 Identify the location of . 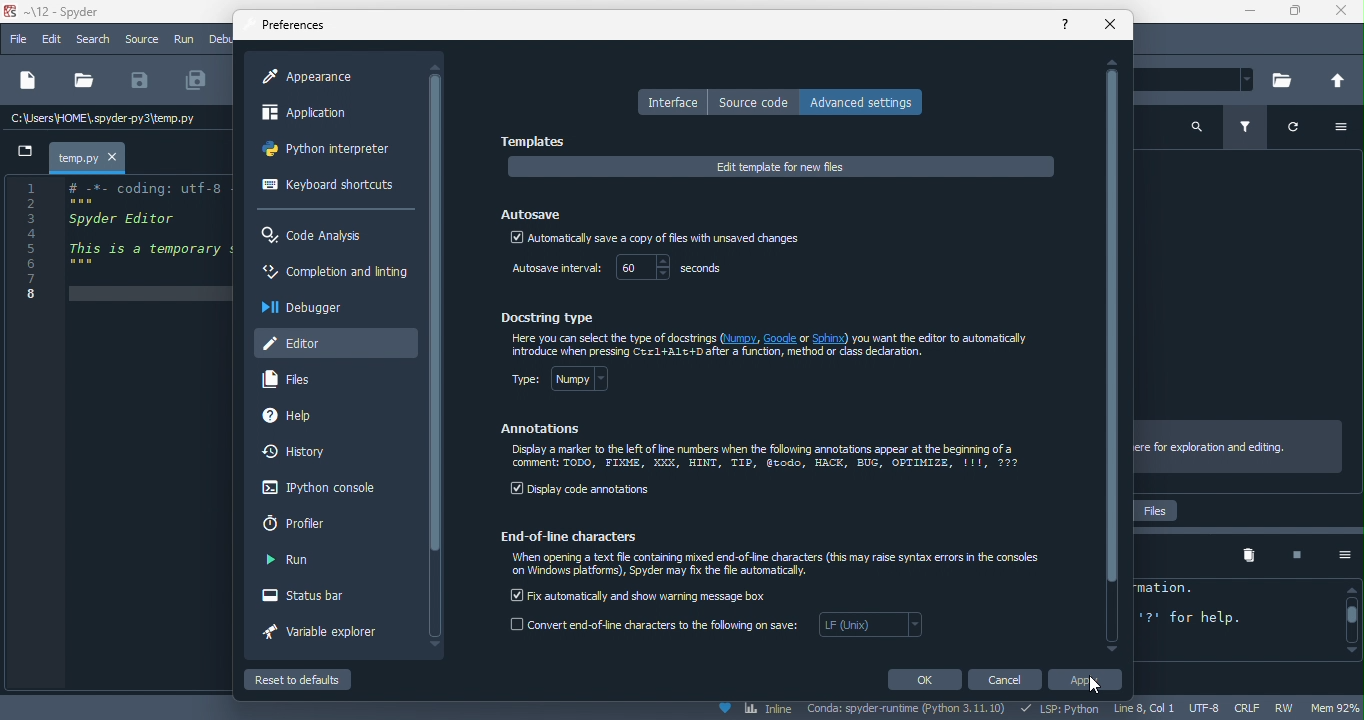
(1340, 80).